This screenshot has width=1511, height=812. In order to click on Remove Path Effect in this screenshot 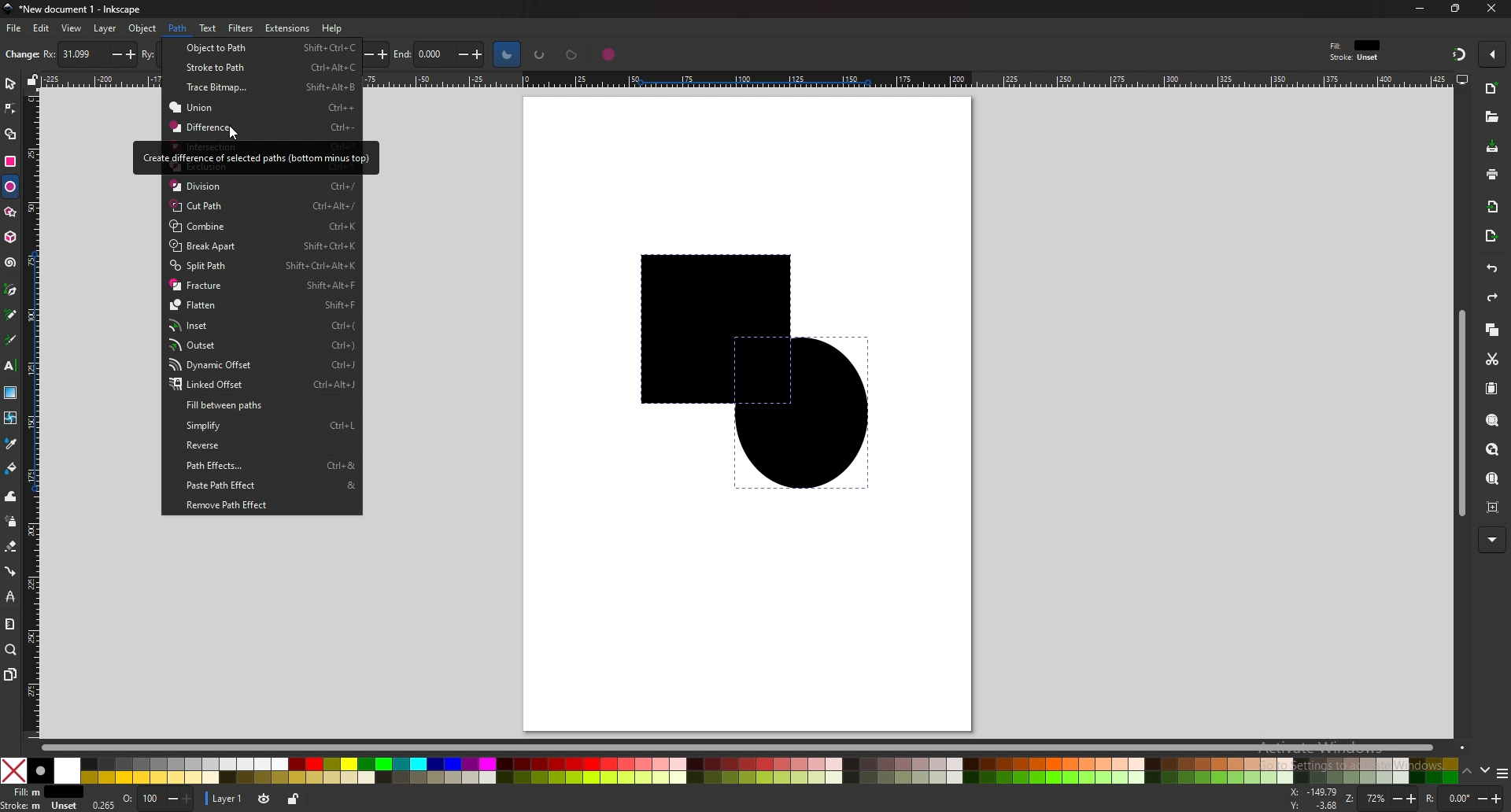, I will do `click(236, 506)`.